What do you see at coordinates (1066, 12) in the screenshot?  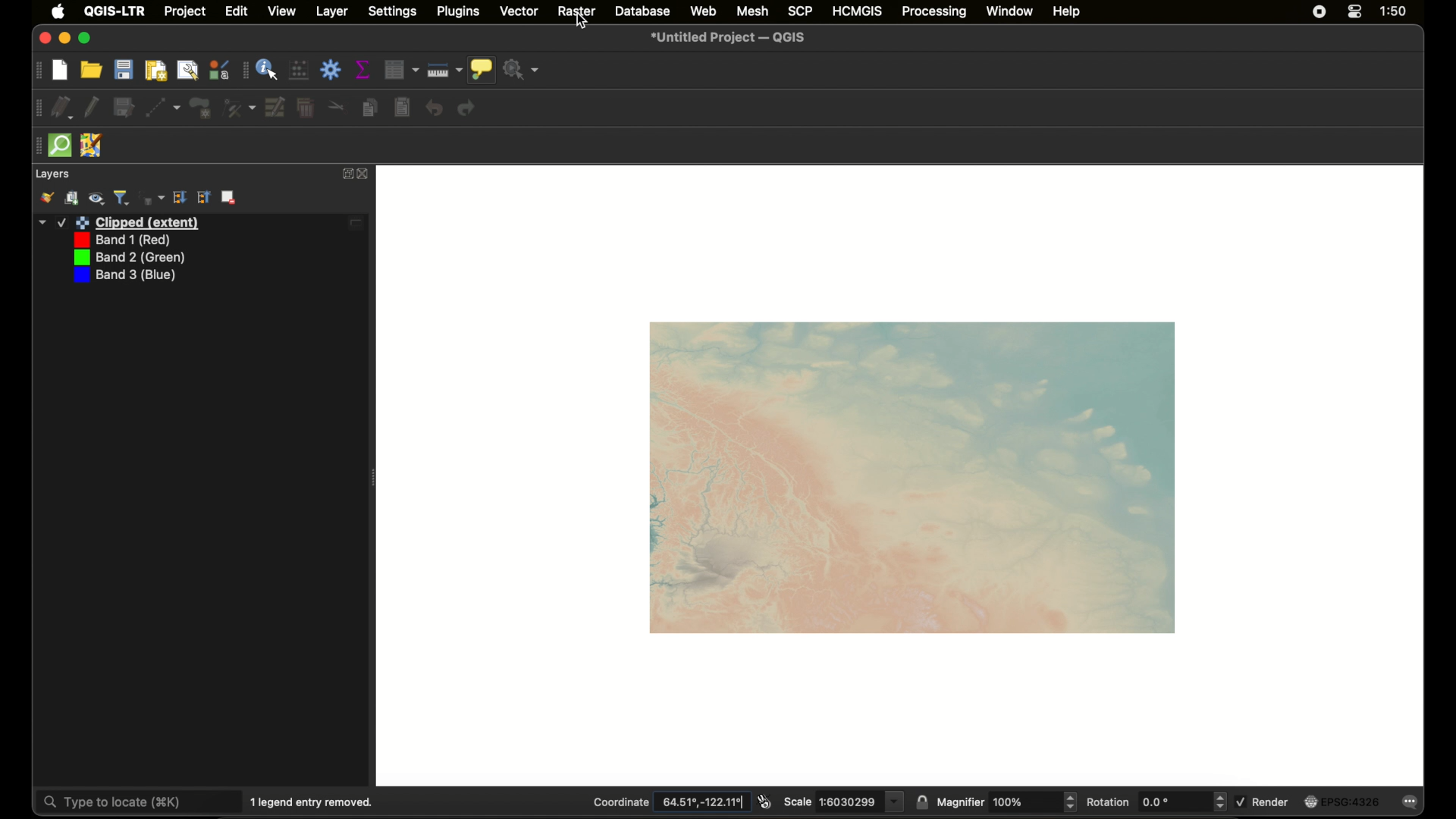 I see `help` at bounding box center [1066, 12].